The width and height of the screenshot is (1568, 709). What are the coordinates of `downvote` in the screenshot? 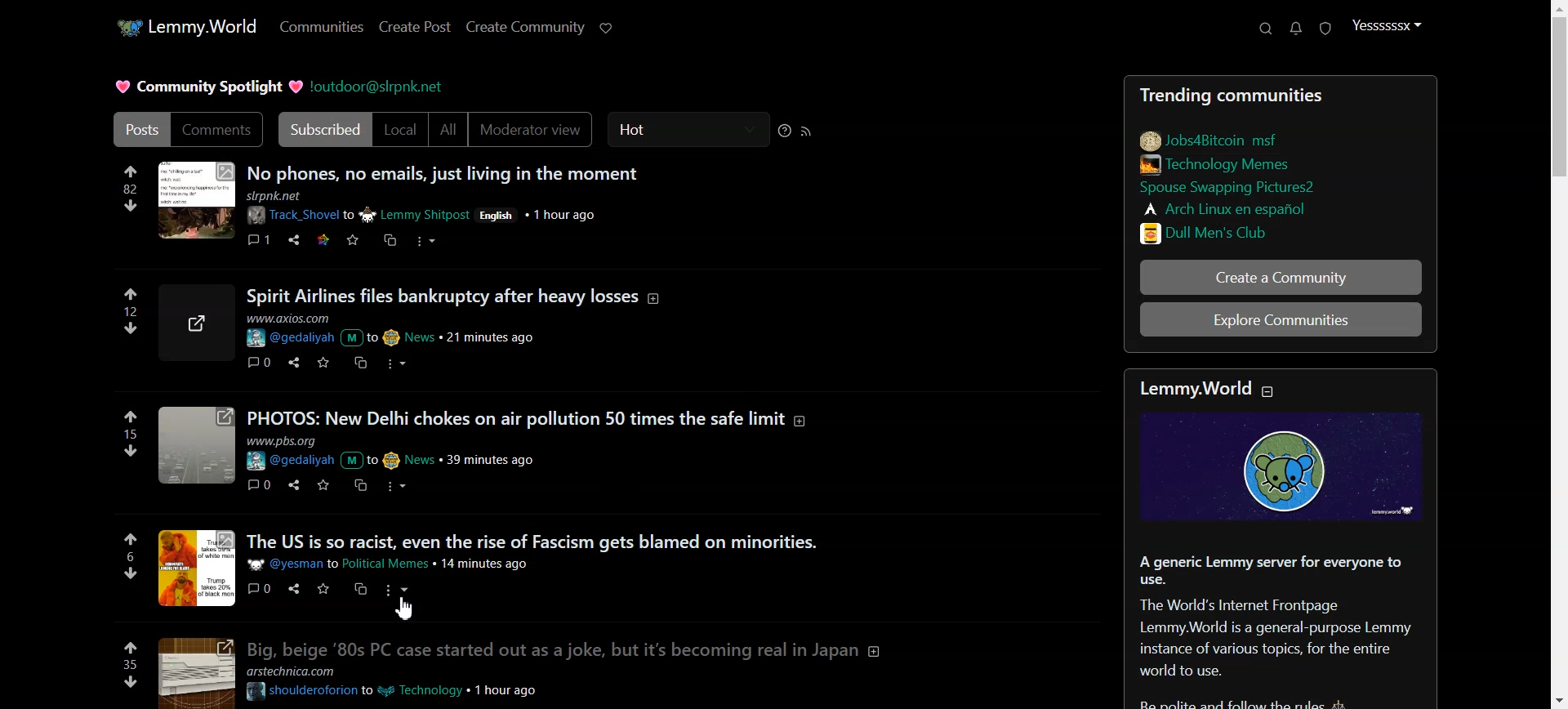 It's located at (131, 205).